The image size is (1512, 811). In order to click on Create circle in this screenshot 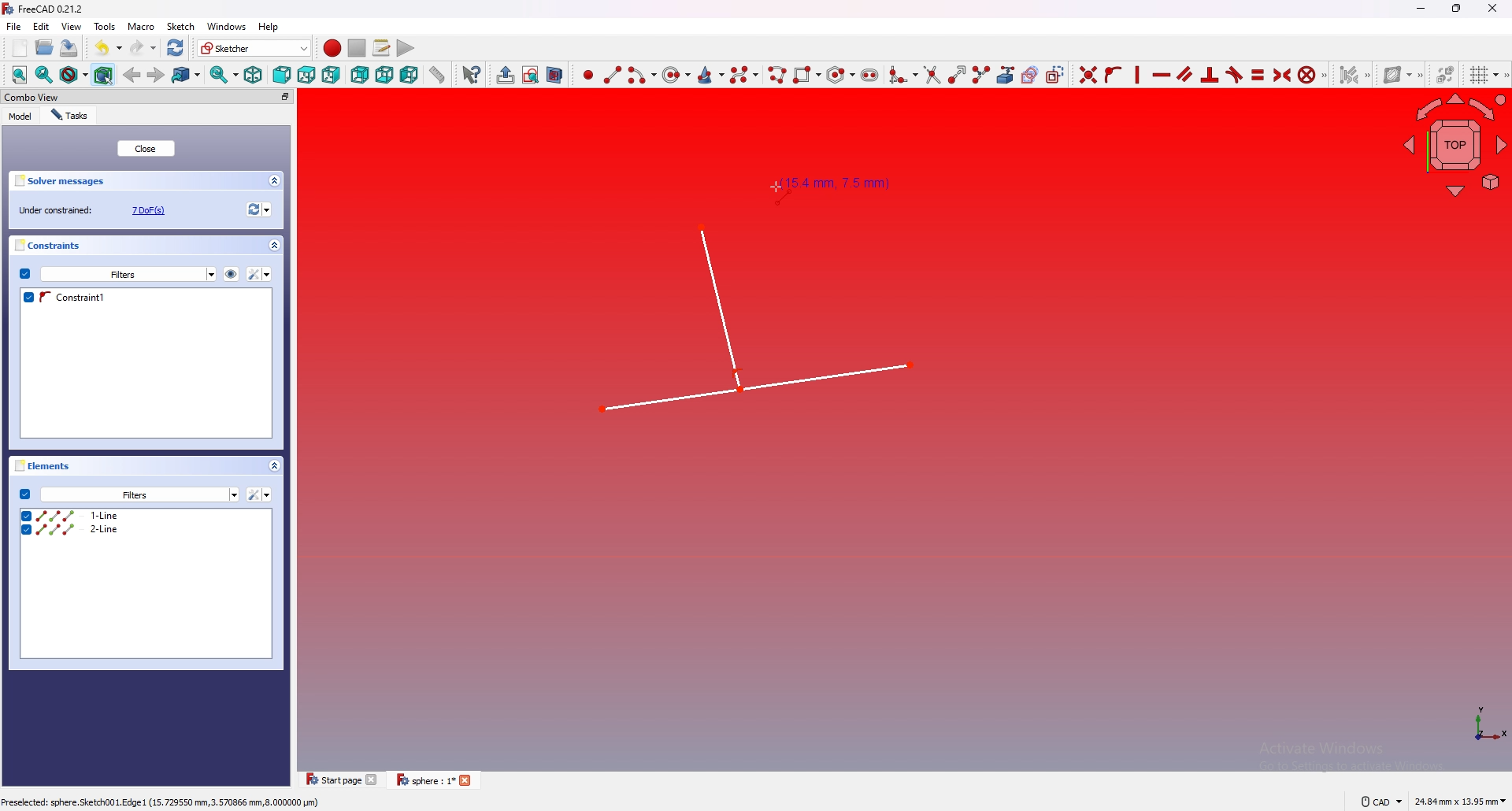, I will do `click(676, 75)`.